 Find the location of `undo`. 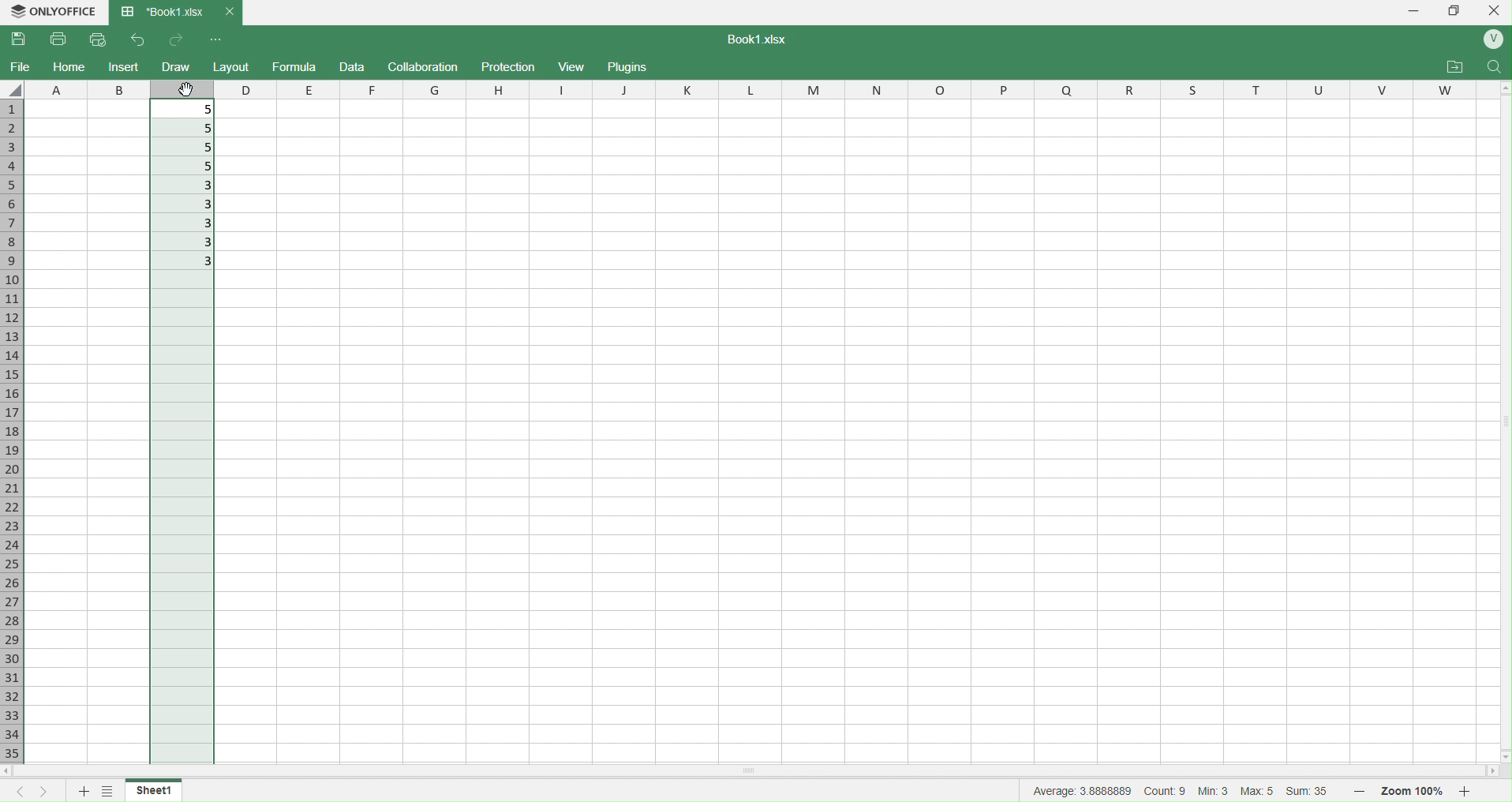

undo is located at coordinates (130, 40).